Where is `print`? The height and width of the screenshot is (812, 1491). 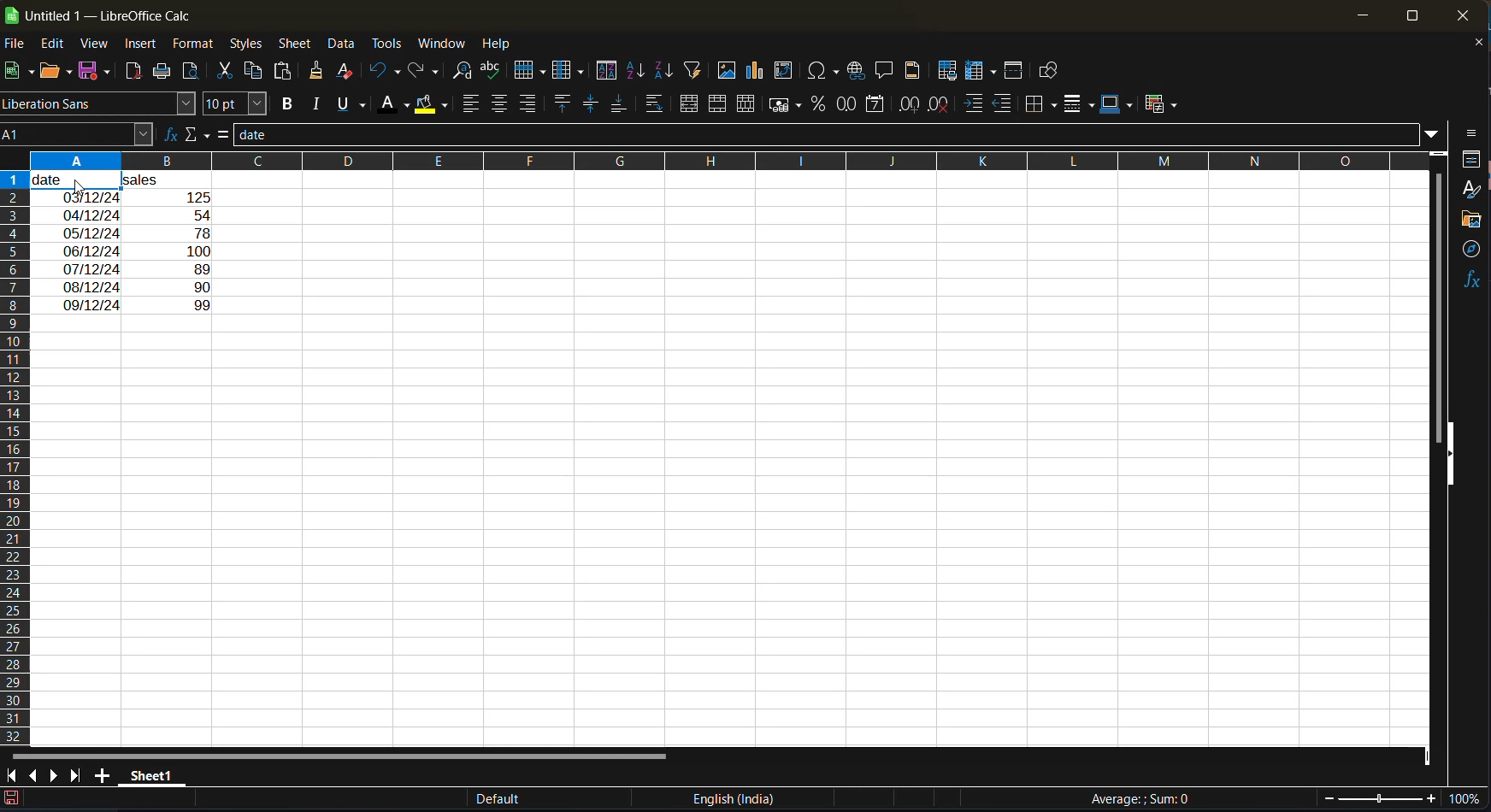
print is located at coordinates (163, 72).